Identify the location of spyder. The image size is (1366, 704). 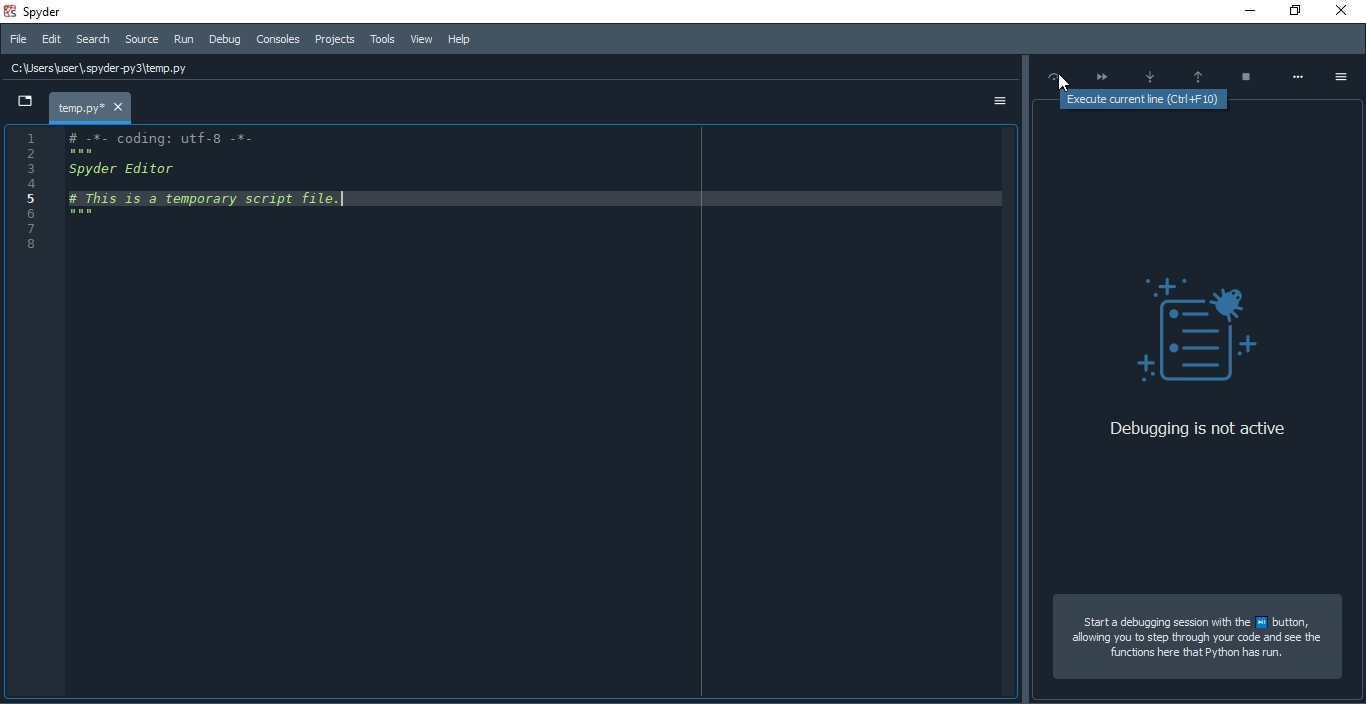
(53, 10).